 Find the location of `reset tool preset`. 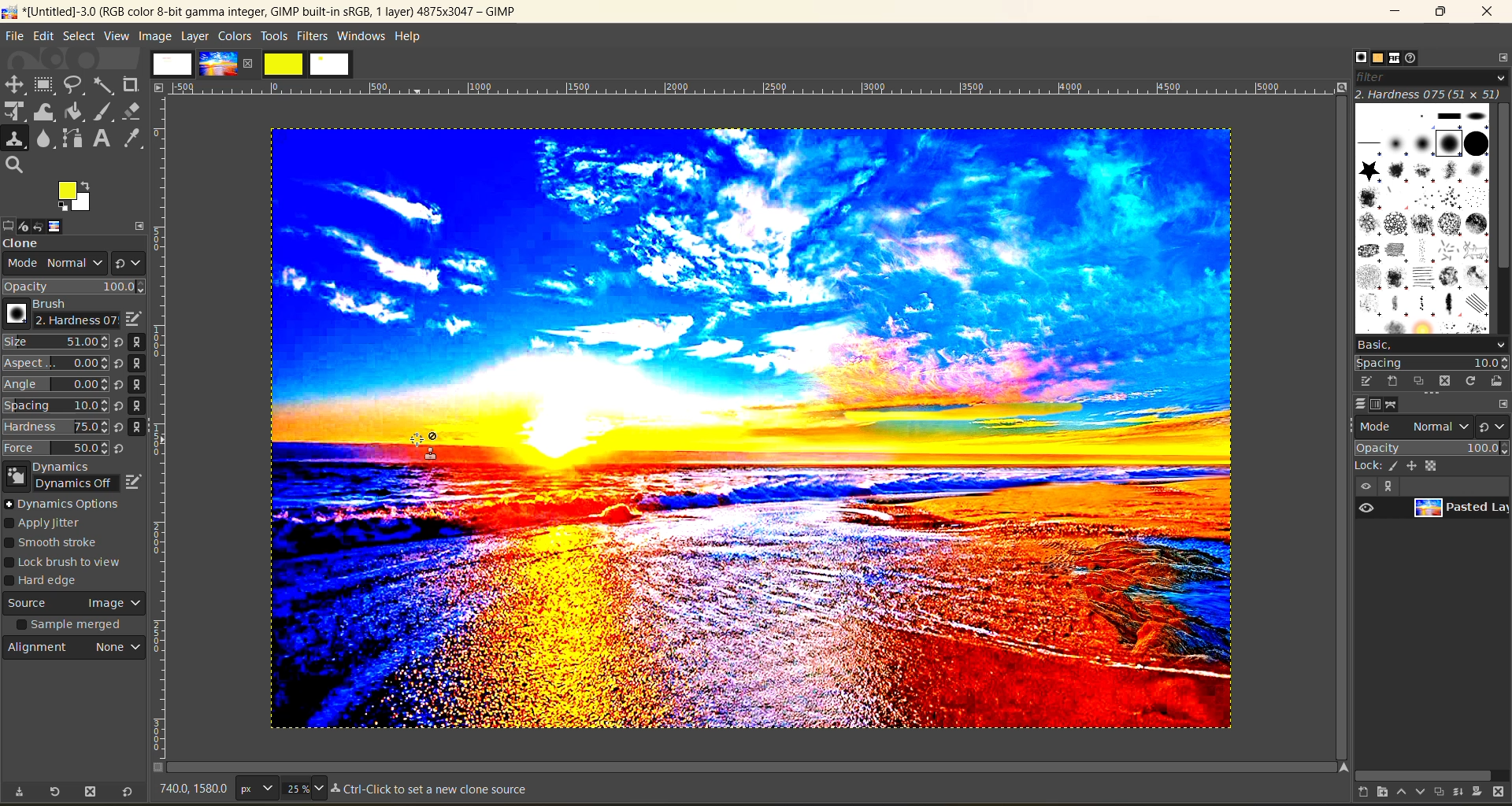

reset tool preset is located at coordinates (55, 791).